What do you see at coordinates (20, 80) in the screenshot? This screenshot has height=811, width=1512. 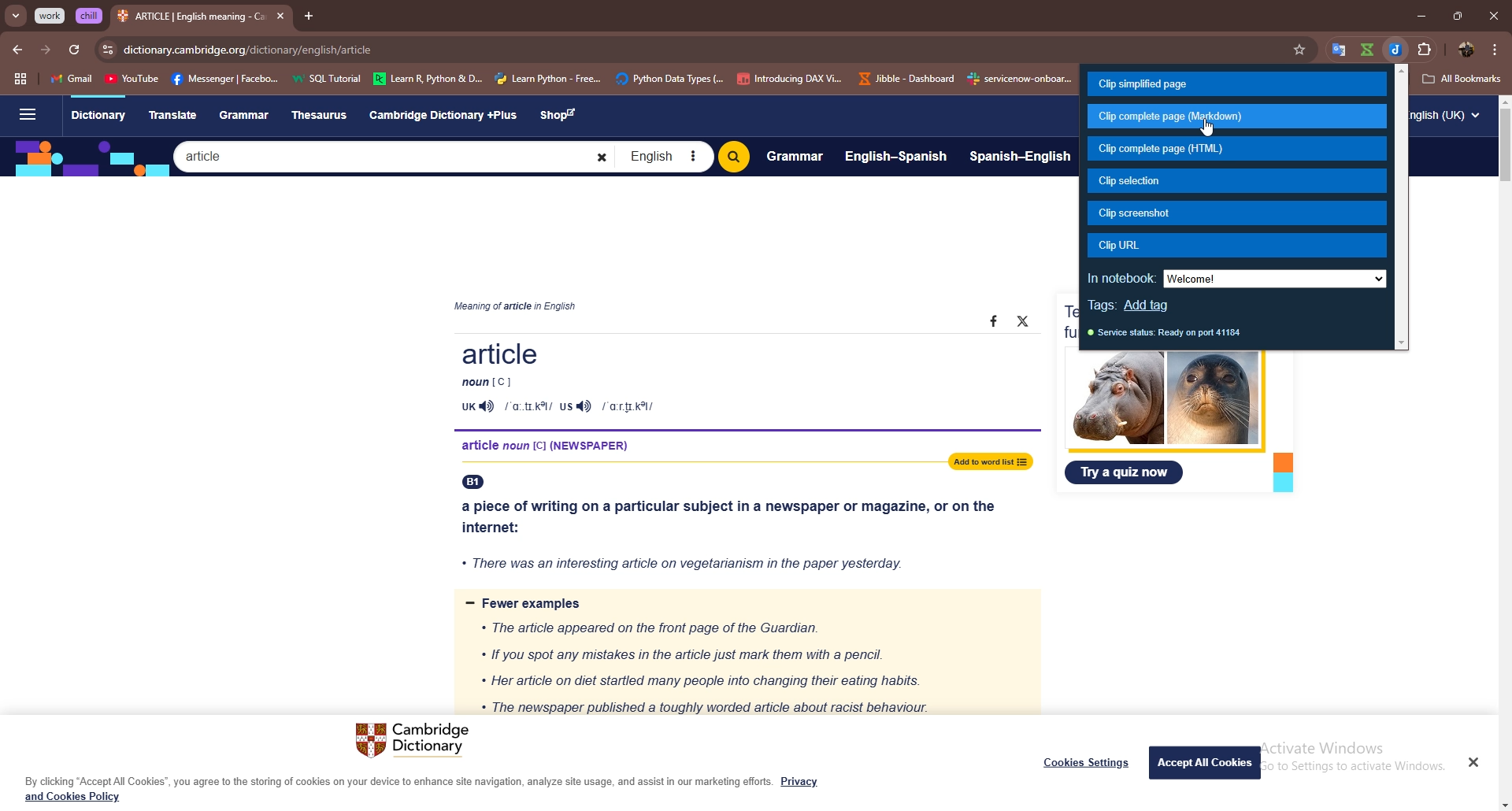 I see `tab groups` at bounding box center [20, 80].